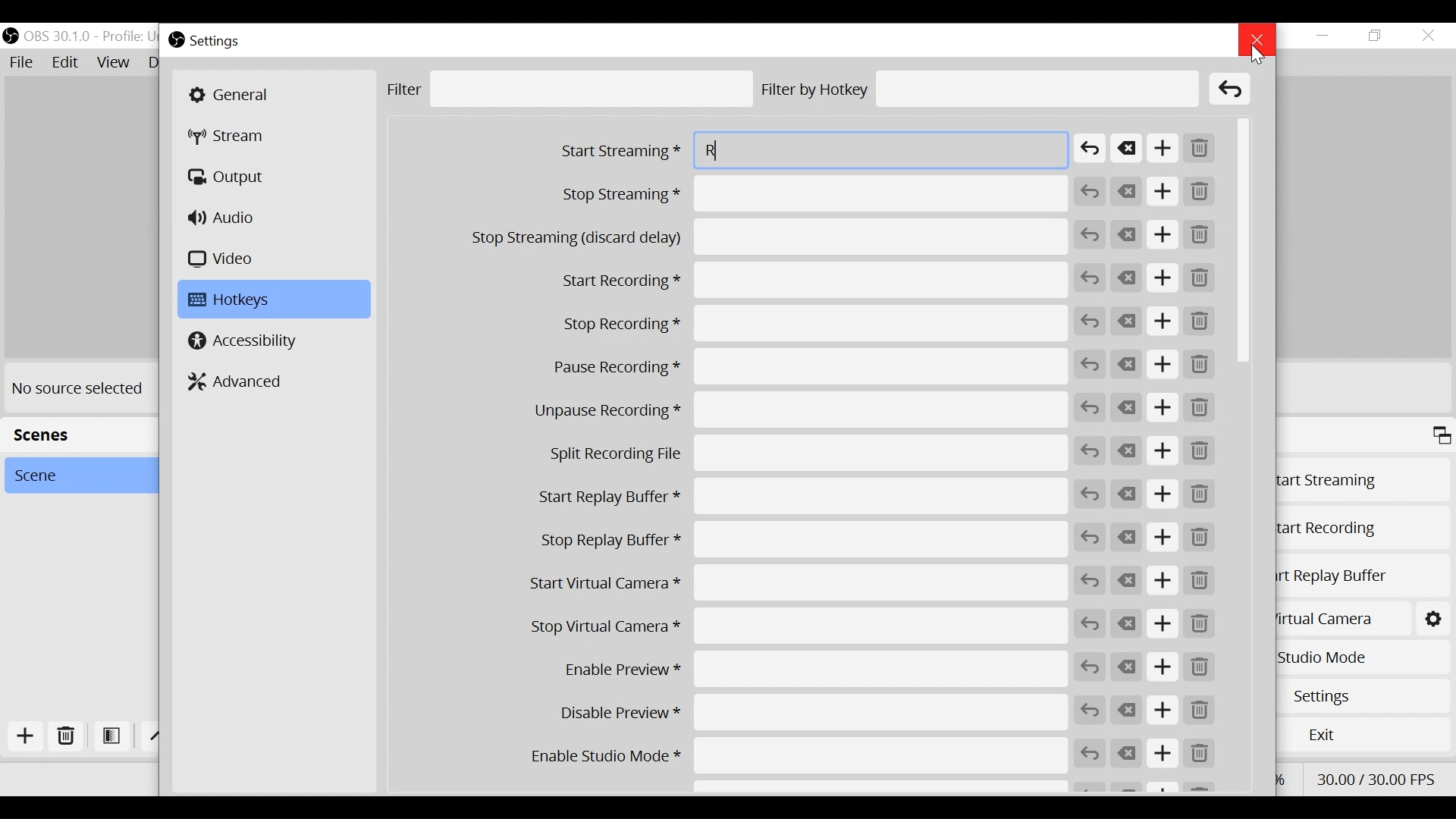 This screenshot has width=1456, height=819. I want to click on Open Filter Scene, so click(112, 736).